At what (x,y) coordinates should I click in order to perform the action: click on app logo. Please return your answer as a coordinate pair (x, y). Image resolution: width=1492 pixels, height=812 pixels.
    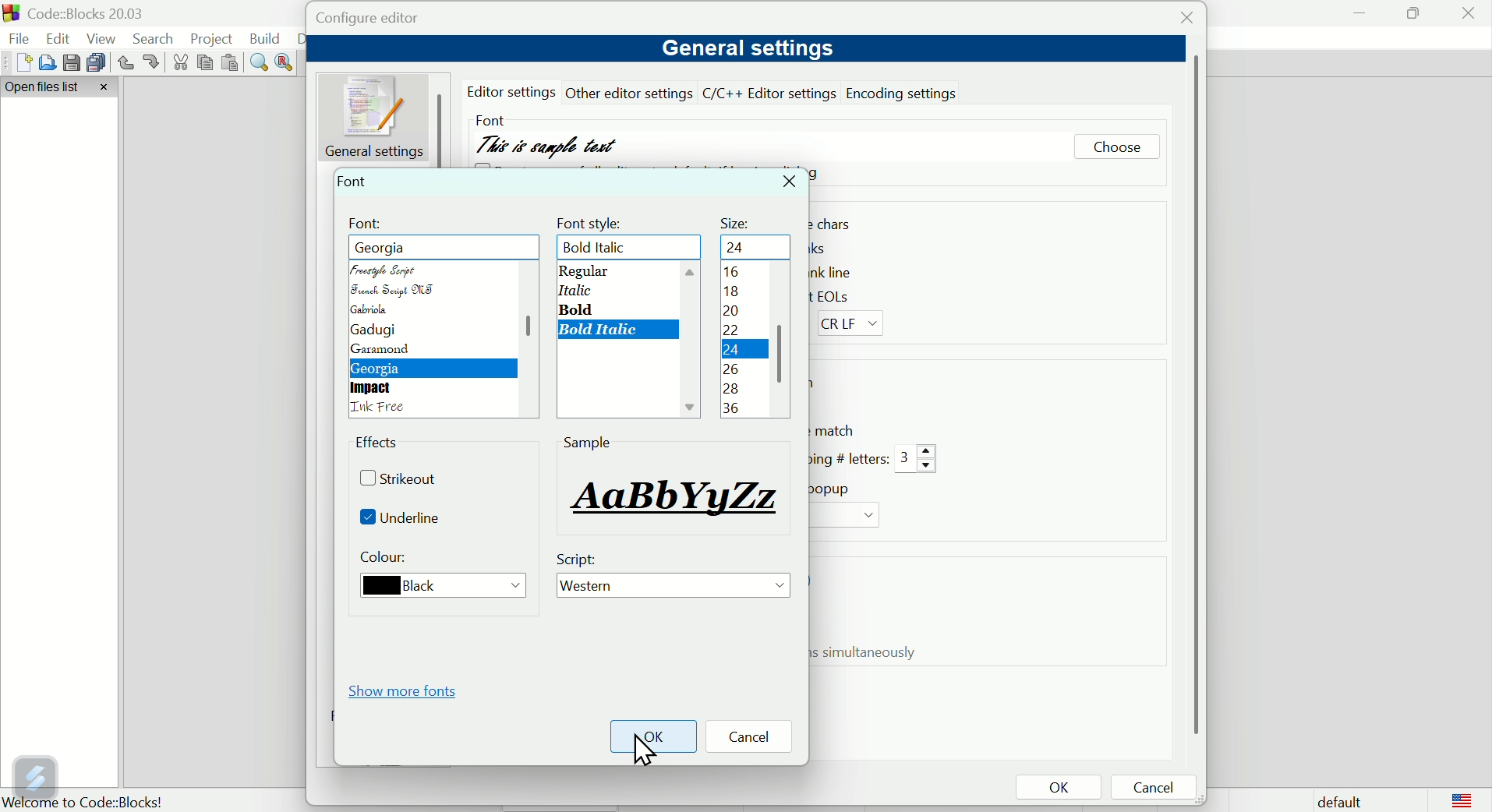
    Looking at the image, I should click on (9, 13).